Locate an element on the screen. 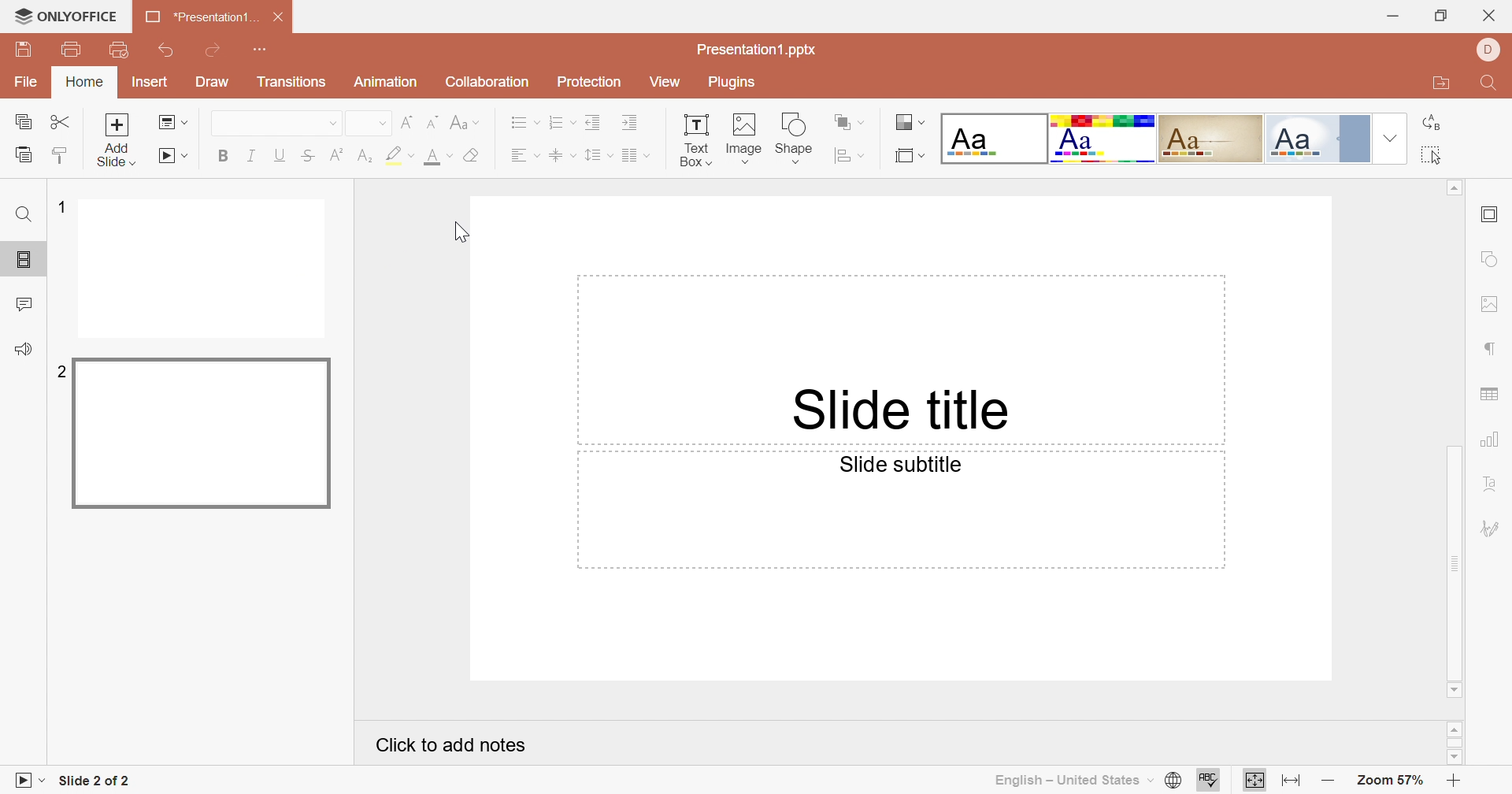 Image resolution: width=1512 pixels, height=794 pixels. image is located at coordinates (746, 138).